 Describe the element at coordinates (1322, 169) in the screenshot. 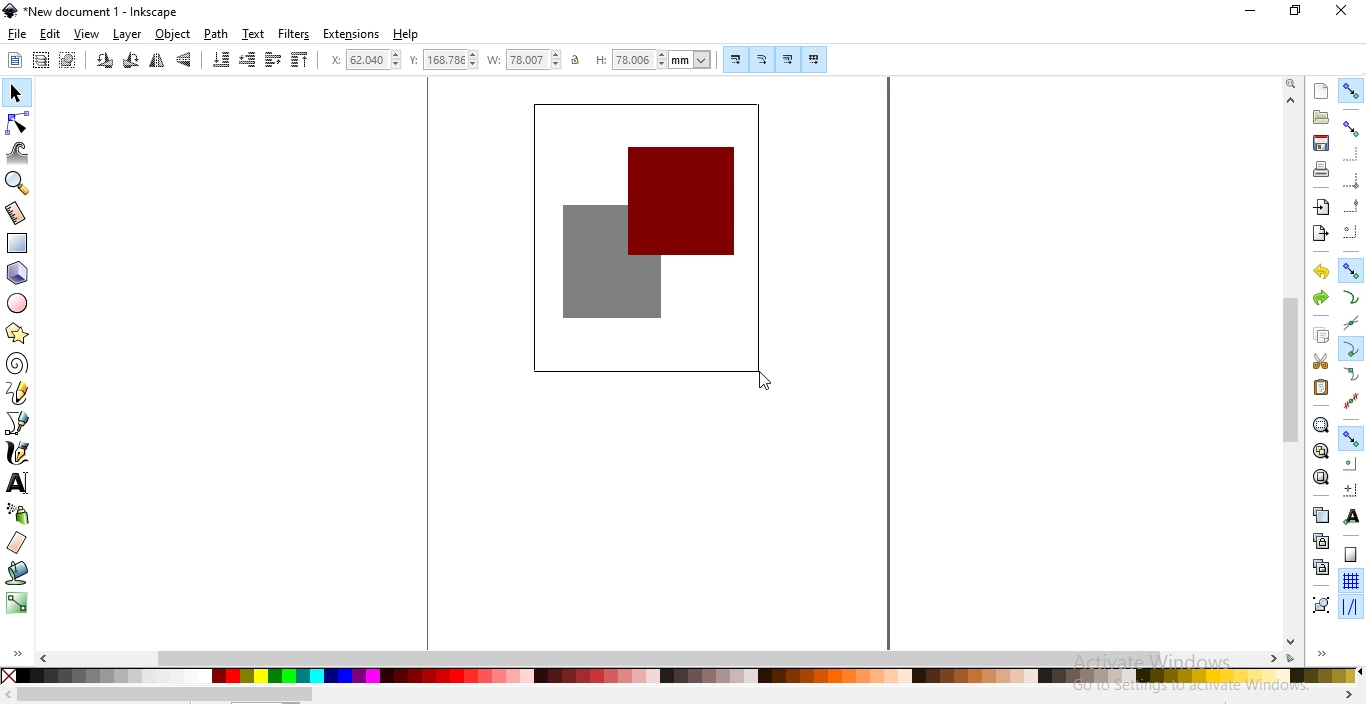

I see `print document` at that location.